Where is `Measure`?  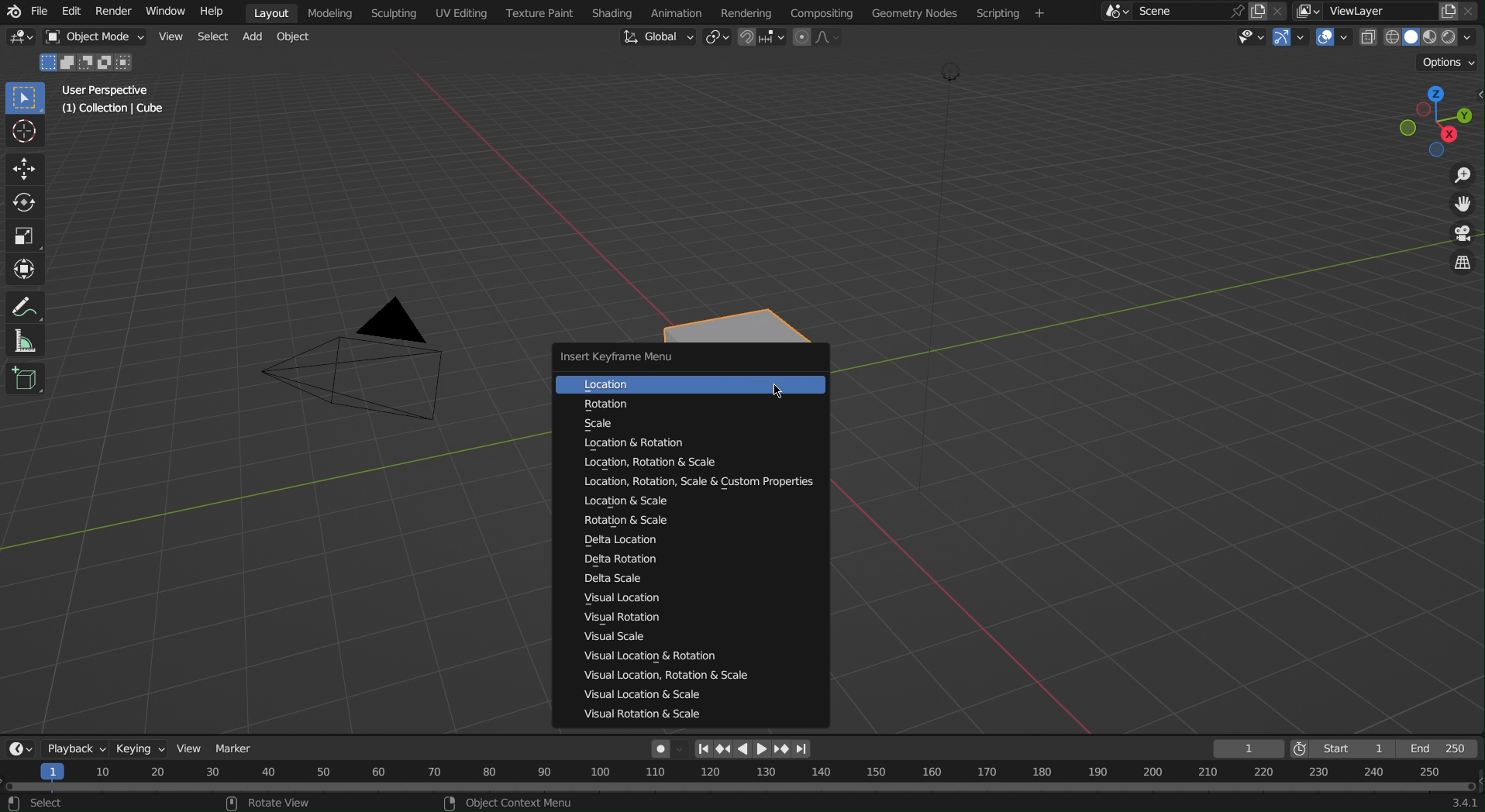 Measure is located at coordinates (26, 341).